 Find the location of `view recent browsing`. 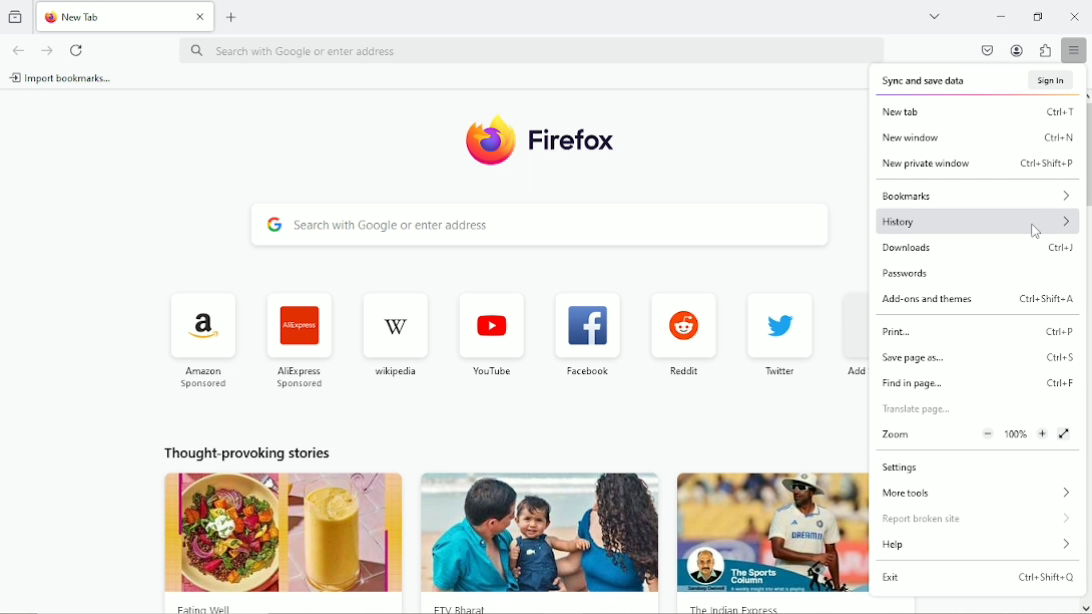

view recent browsing is located at coordinates (16, 16).